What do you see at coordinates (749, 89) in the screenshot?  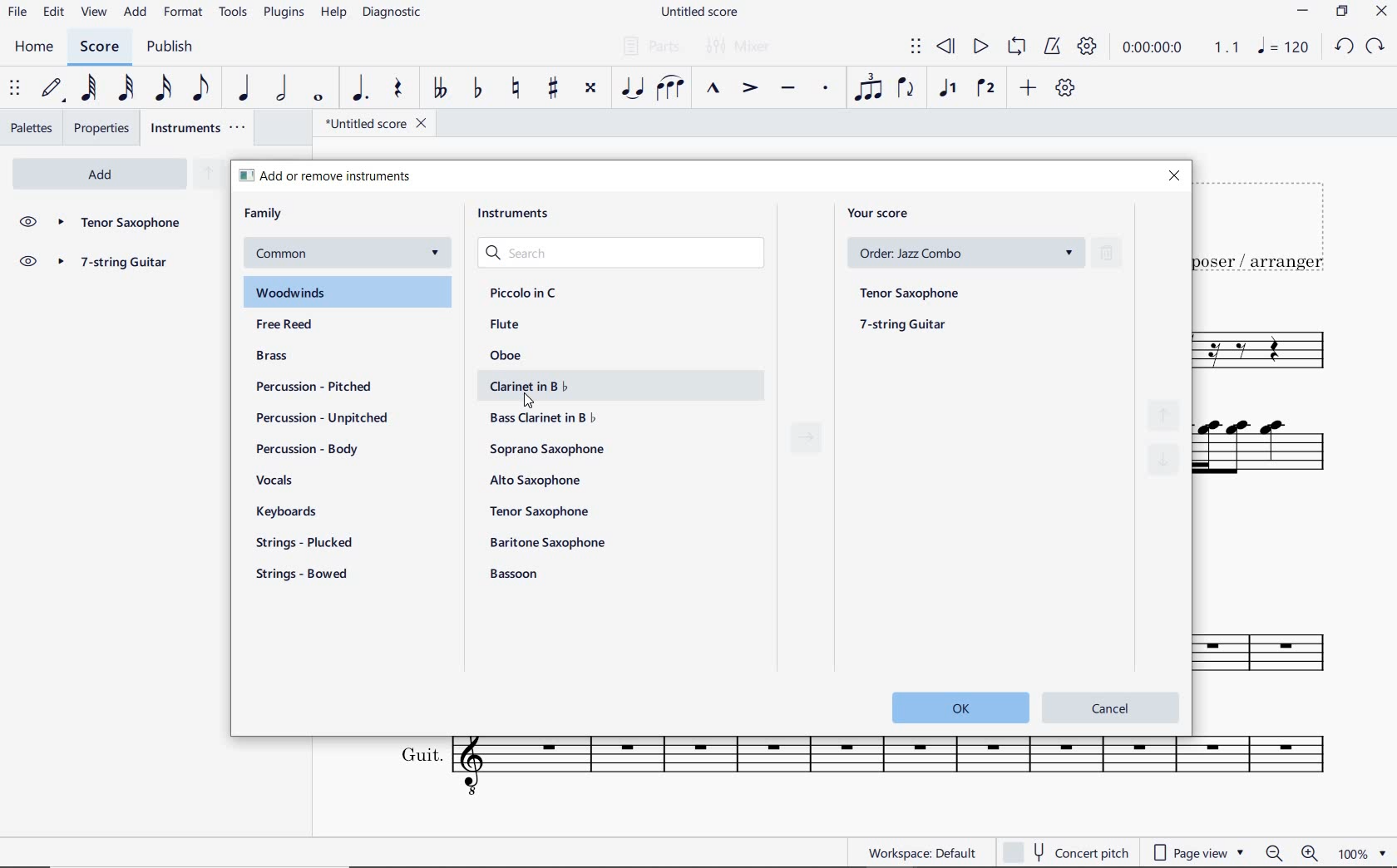 I see `ACCENT` at bounding box center [749, 89].